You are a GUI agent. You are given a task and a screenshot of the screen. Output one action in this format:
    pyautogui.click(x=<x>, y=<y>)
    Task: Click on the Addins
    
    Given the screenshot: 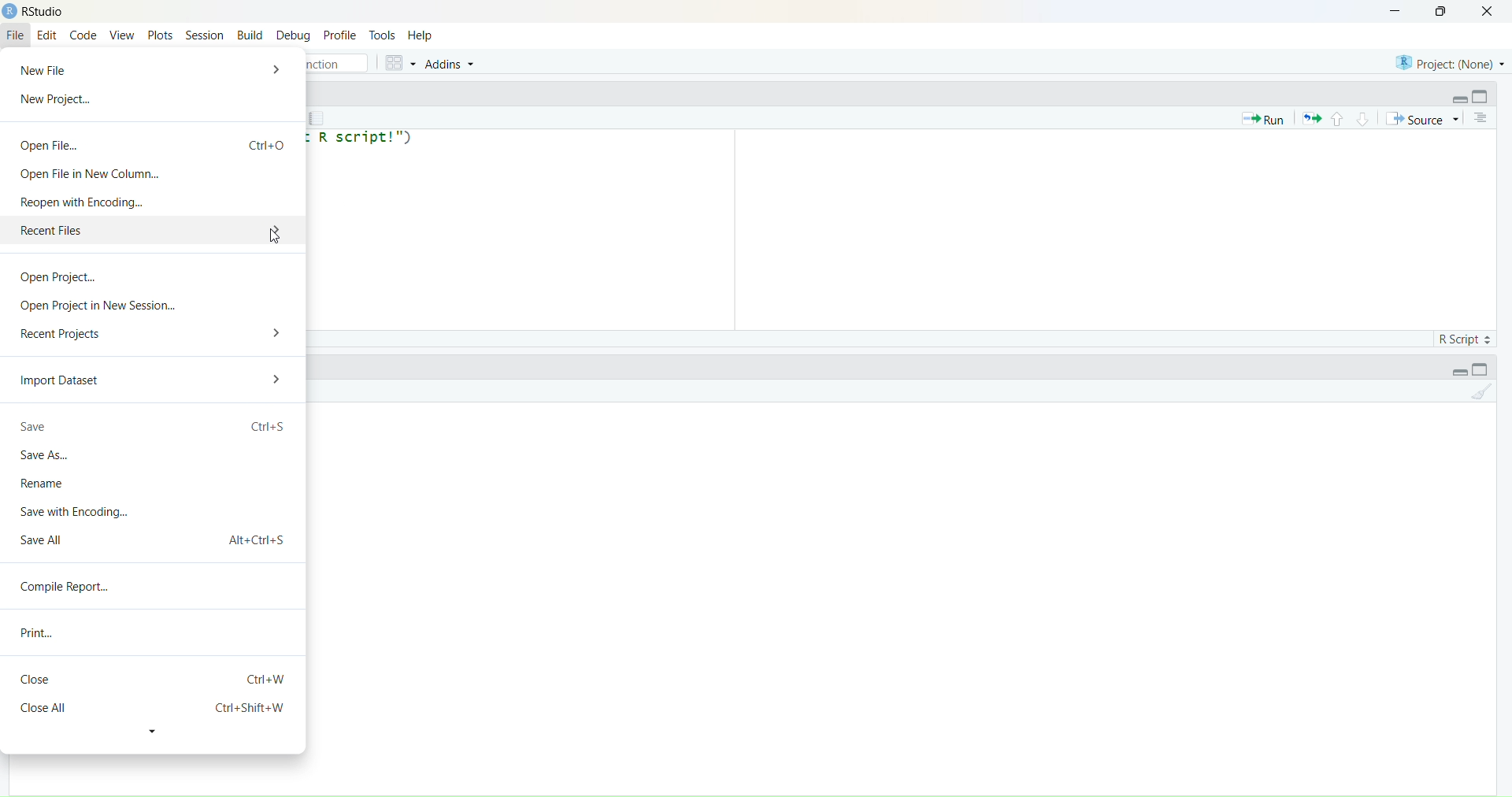 What is the action you would take?
    pyautogui.click(x=451, y=64)
    